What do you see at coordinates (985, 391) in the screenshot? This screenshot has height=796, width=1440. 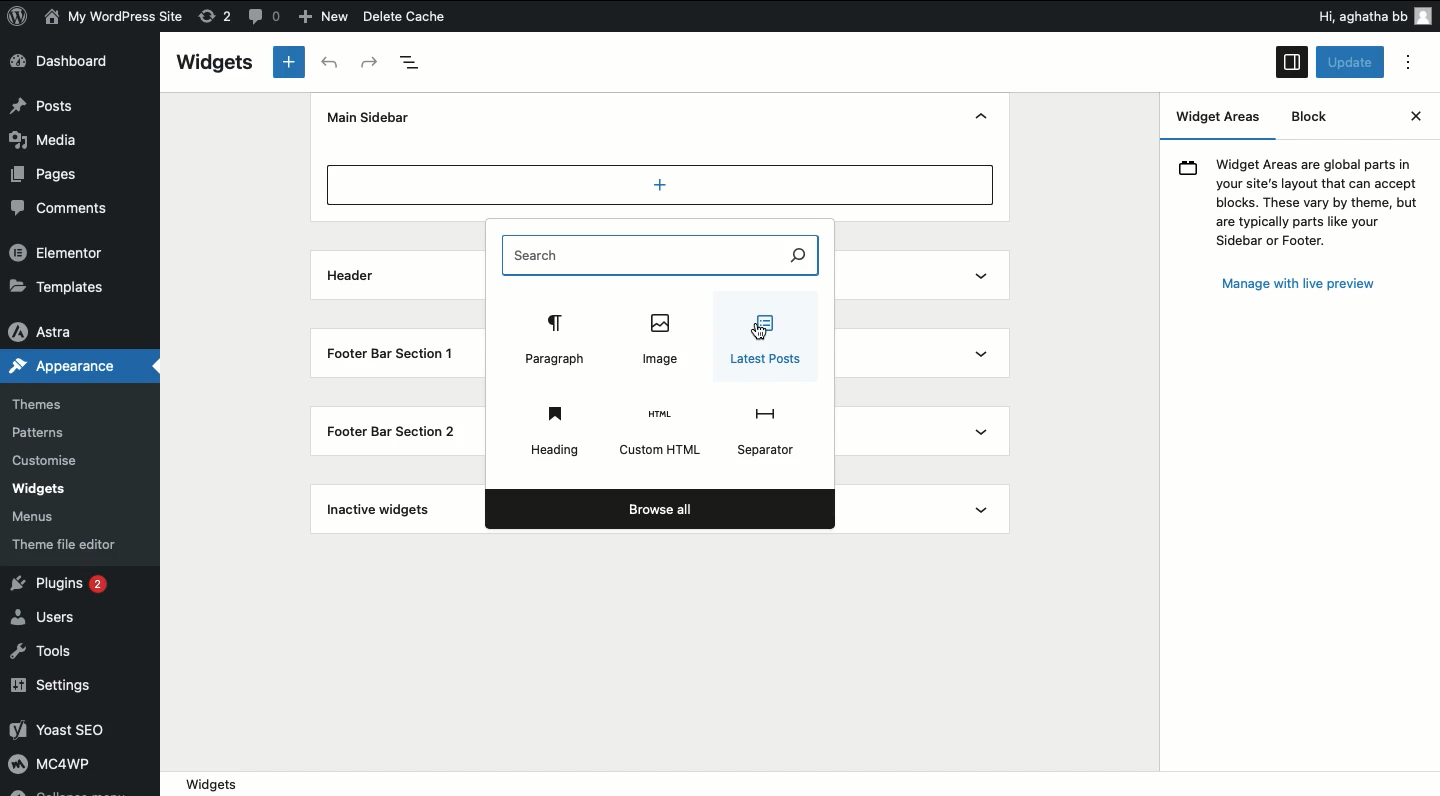 I see `Show` at bounding box center [985, 391].